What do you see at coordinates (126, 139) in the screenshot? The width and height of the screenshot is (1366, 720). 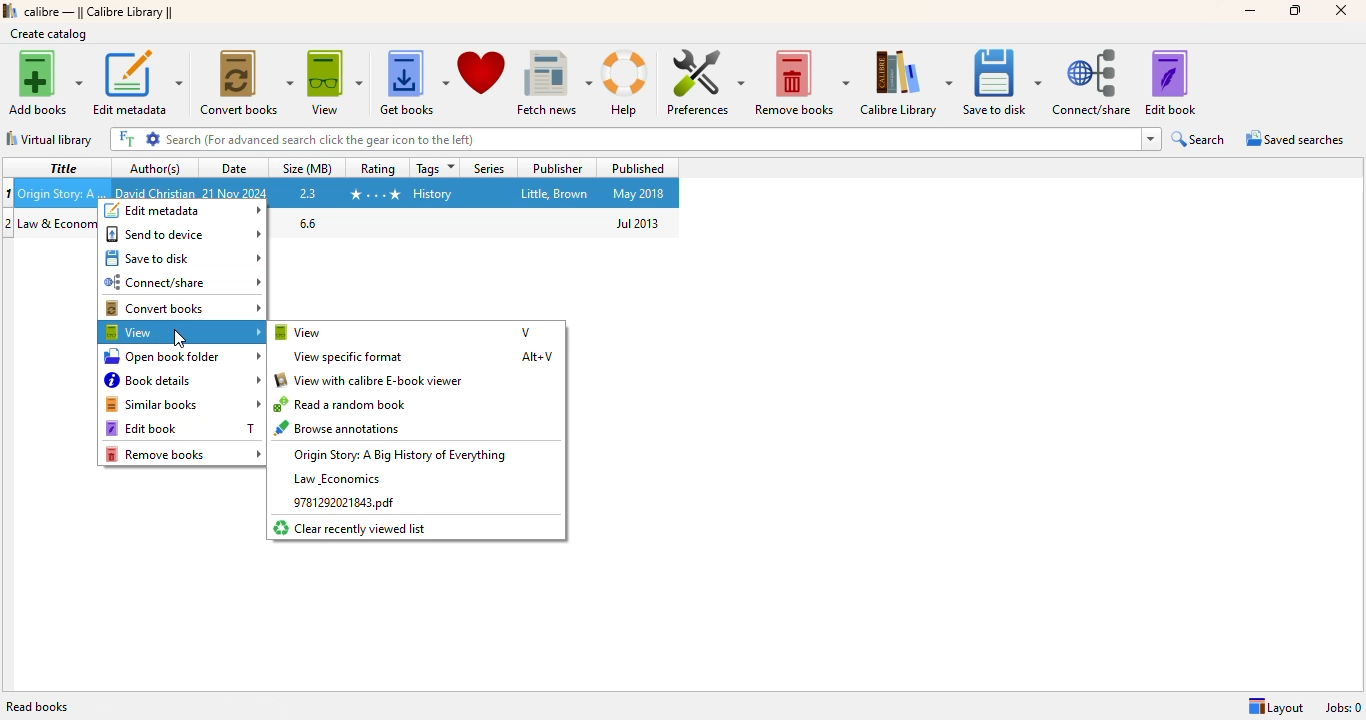 I see `FT` at bounding box center [126, 139].